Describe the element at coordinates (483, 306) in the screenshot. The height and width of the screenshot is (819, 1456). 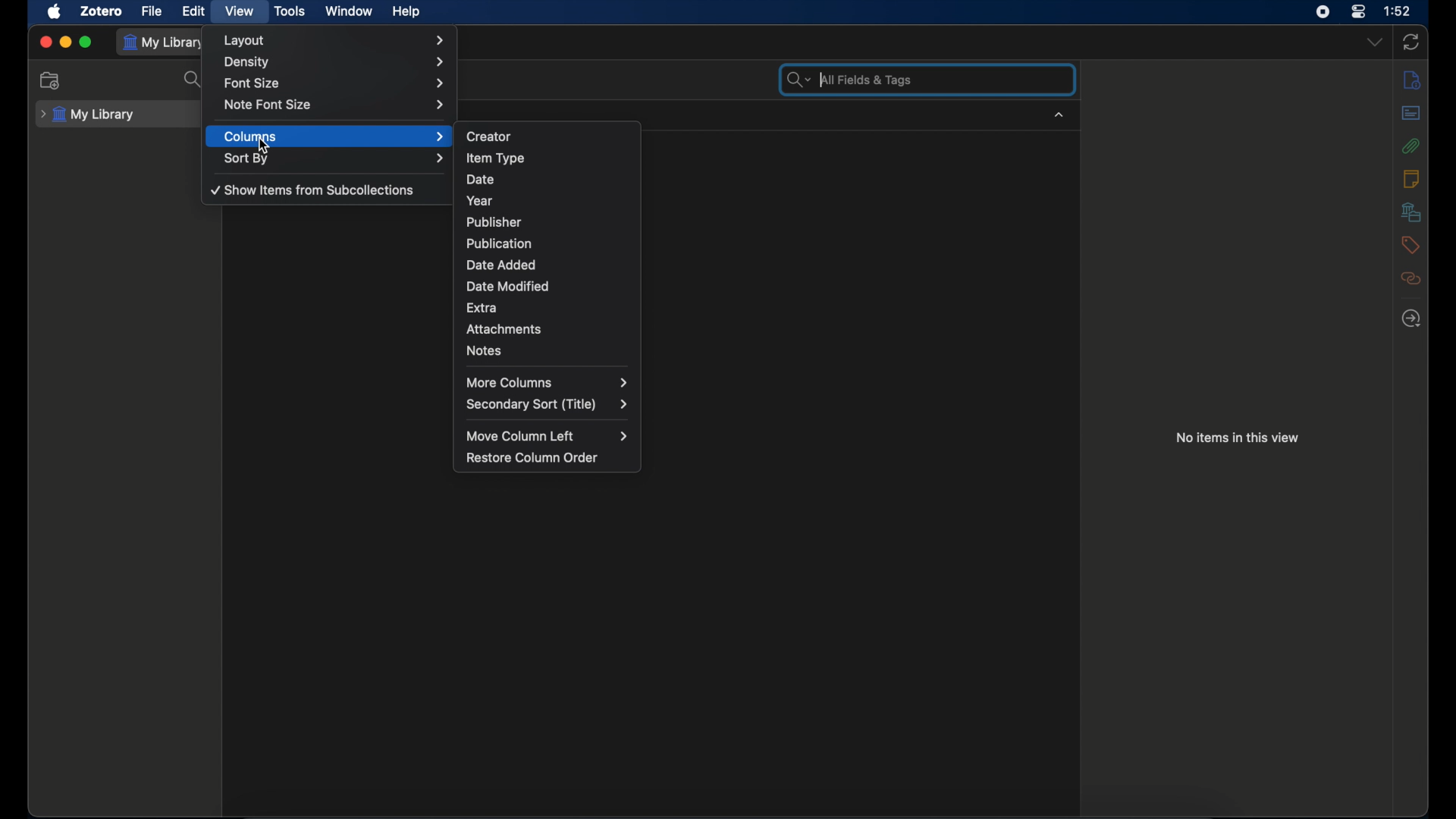
I see `extra` at that location.